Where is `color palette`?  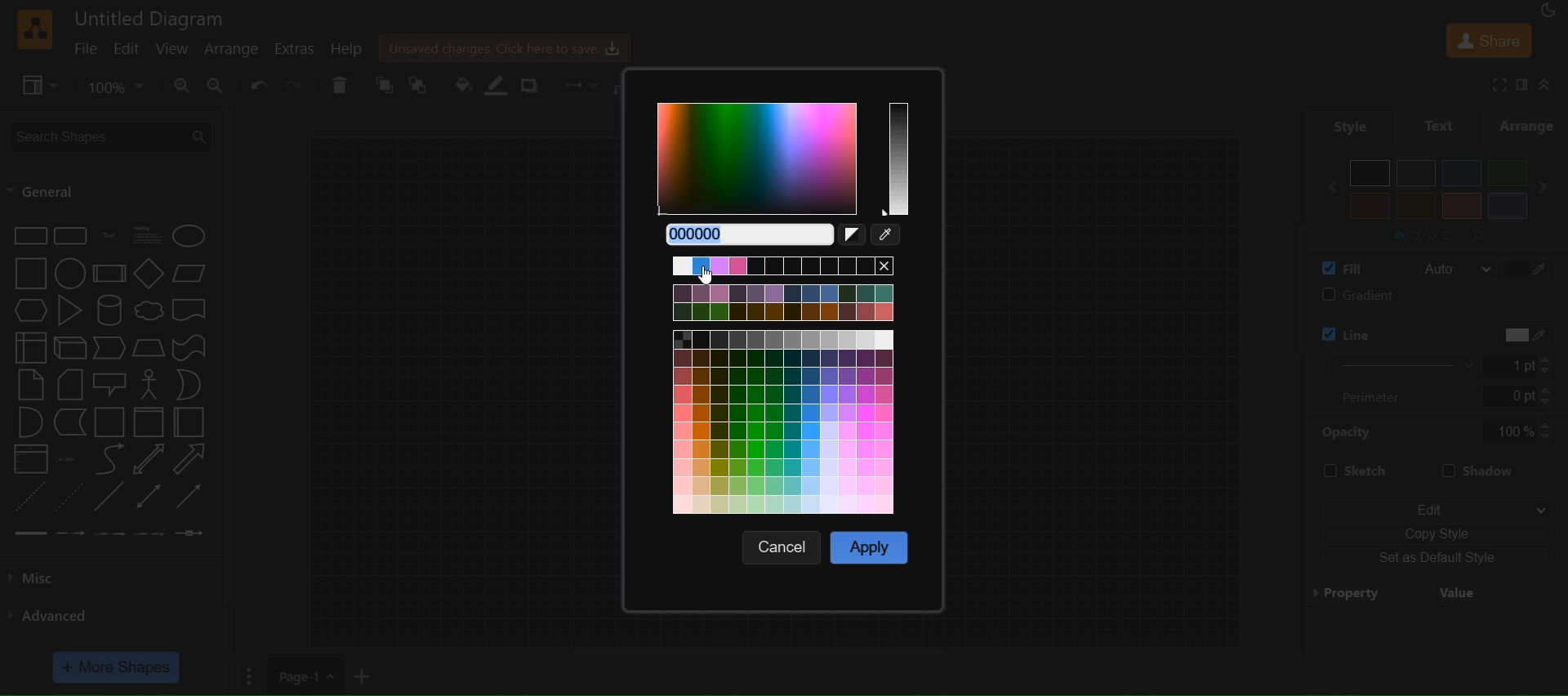
color palette is located at coordinates (787, 386).